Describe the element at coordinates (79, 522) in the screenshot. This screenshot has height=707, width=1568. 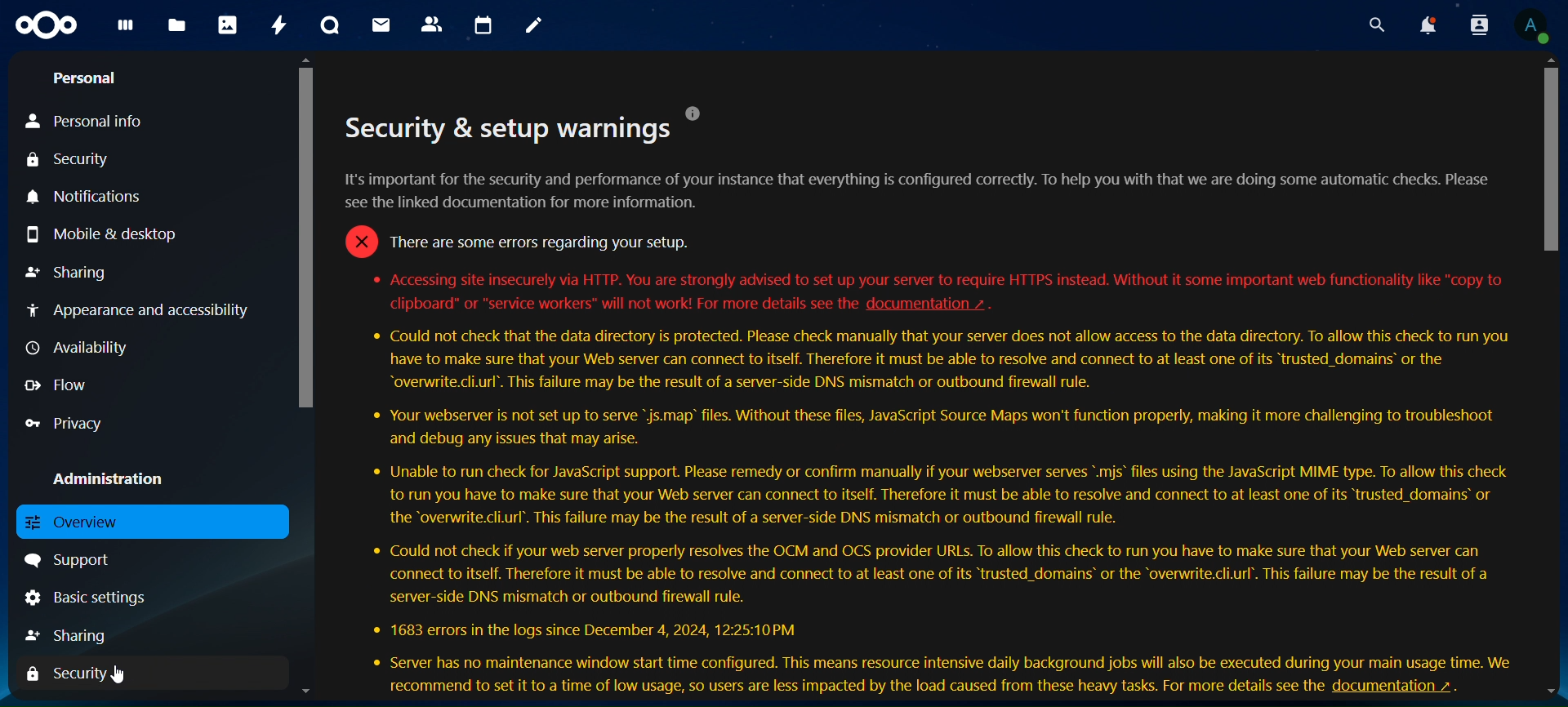
I see `verview` at that location.